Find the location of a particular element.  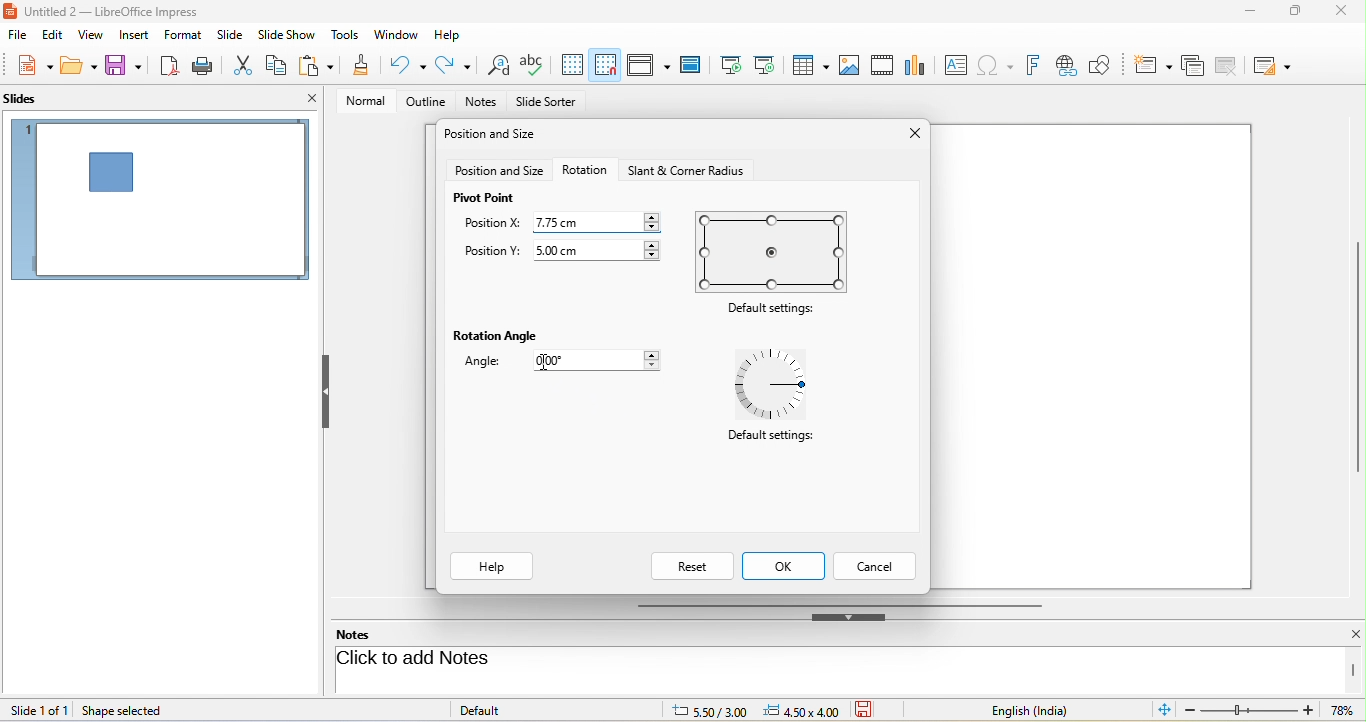

angle is located at coordinates (489, 364).